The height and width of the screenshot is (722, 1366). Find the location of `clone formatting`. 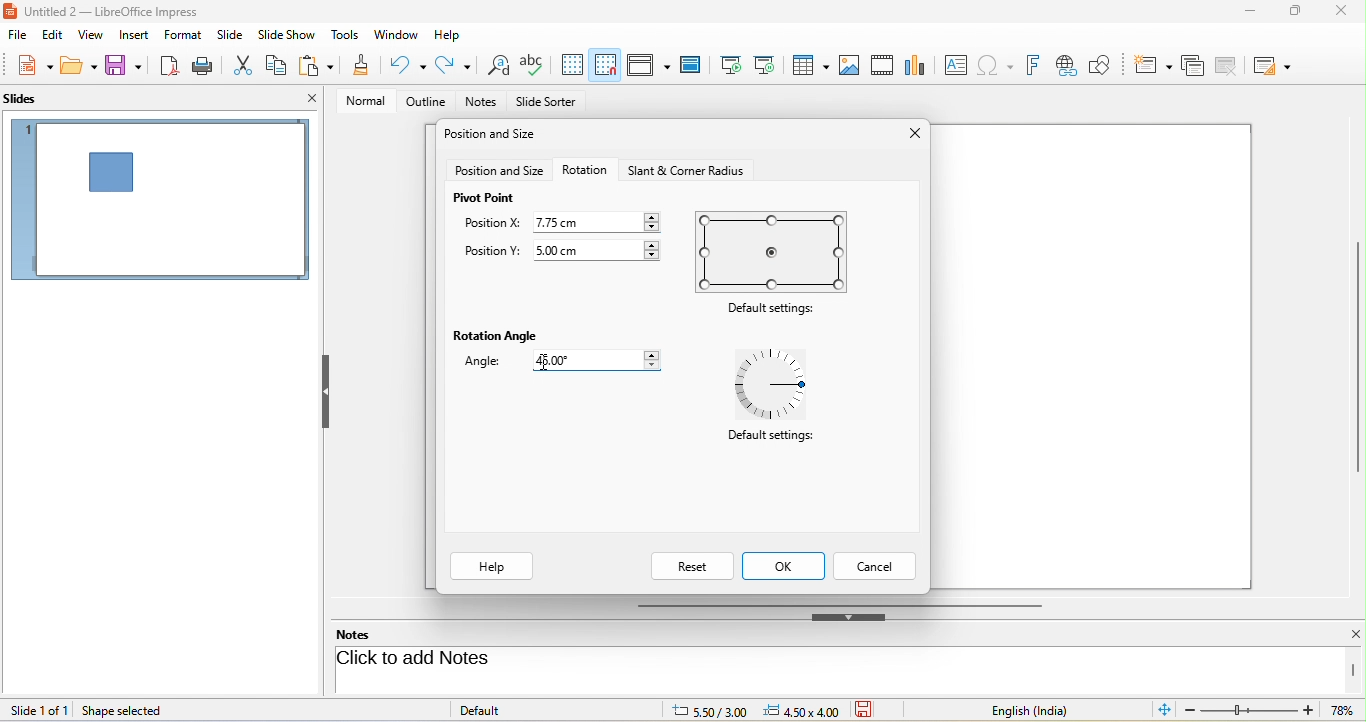

clone formatting is located at coordinates (362, 67).